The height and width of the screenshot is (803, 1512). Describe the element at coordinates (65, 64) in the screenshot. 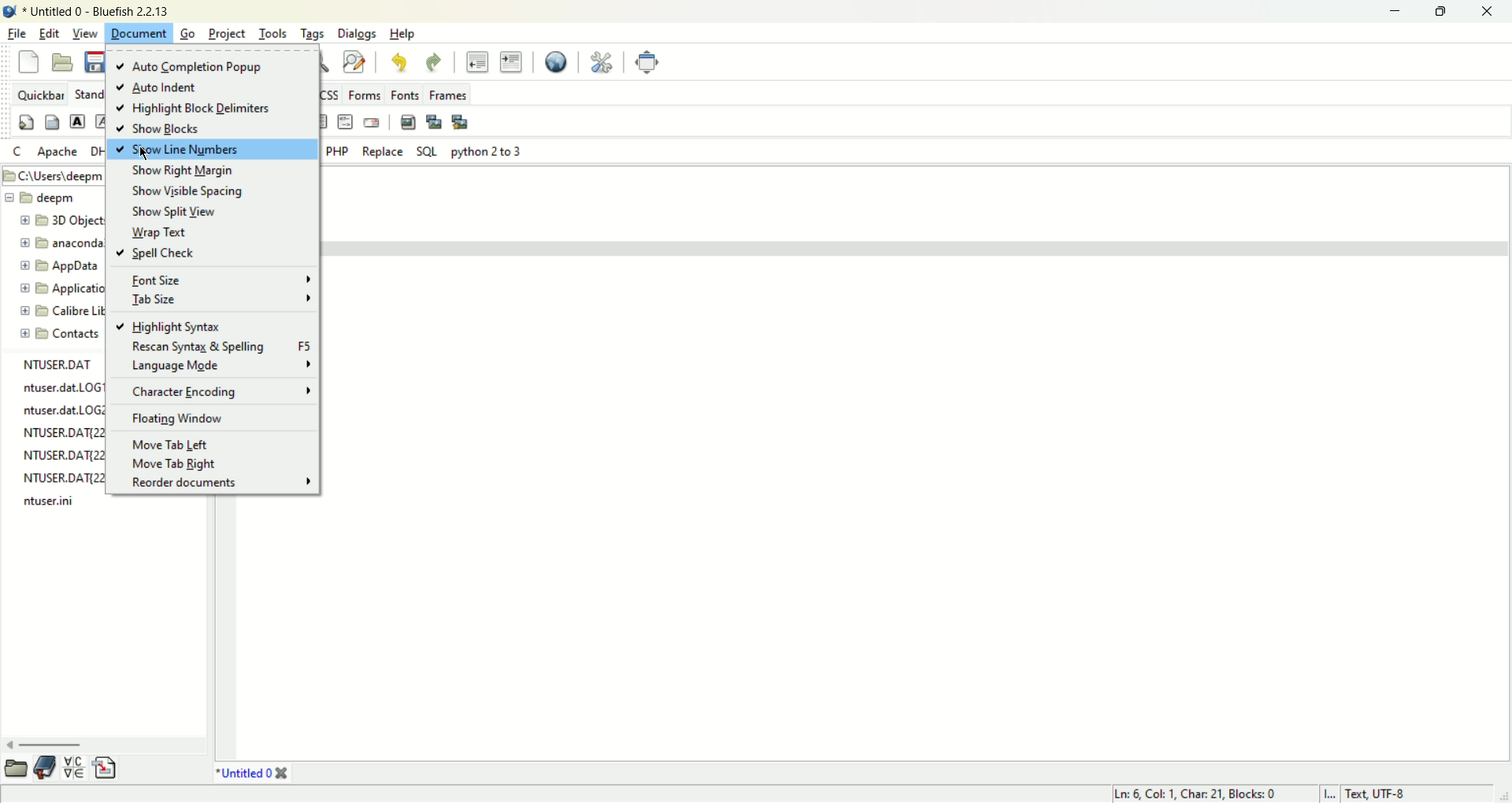

I see `open` at that location.